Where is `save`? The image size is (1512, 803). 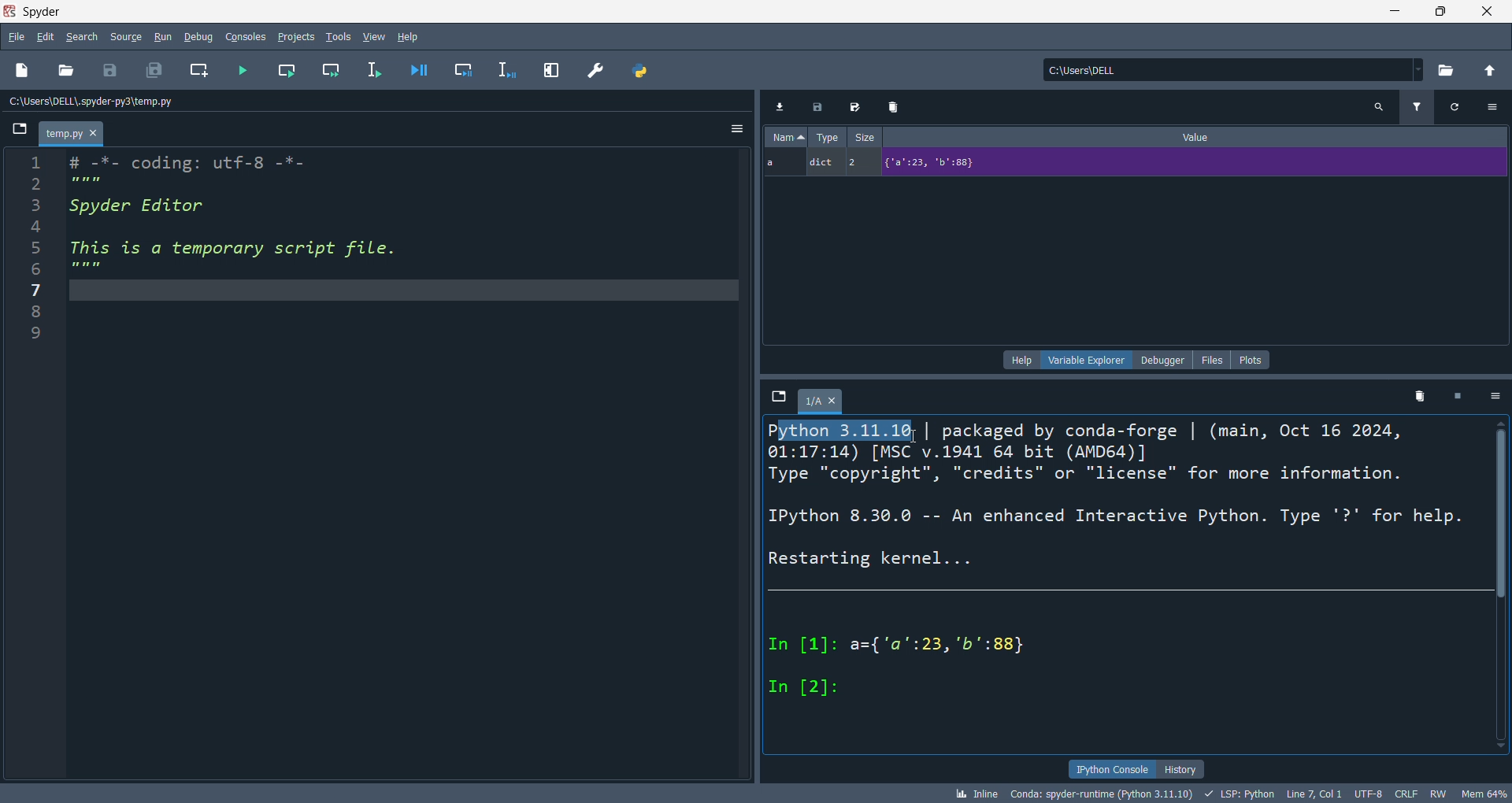
save is located at coordinates (112, 71).